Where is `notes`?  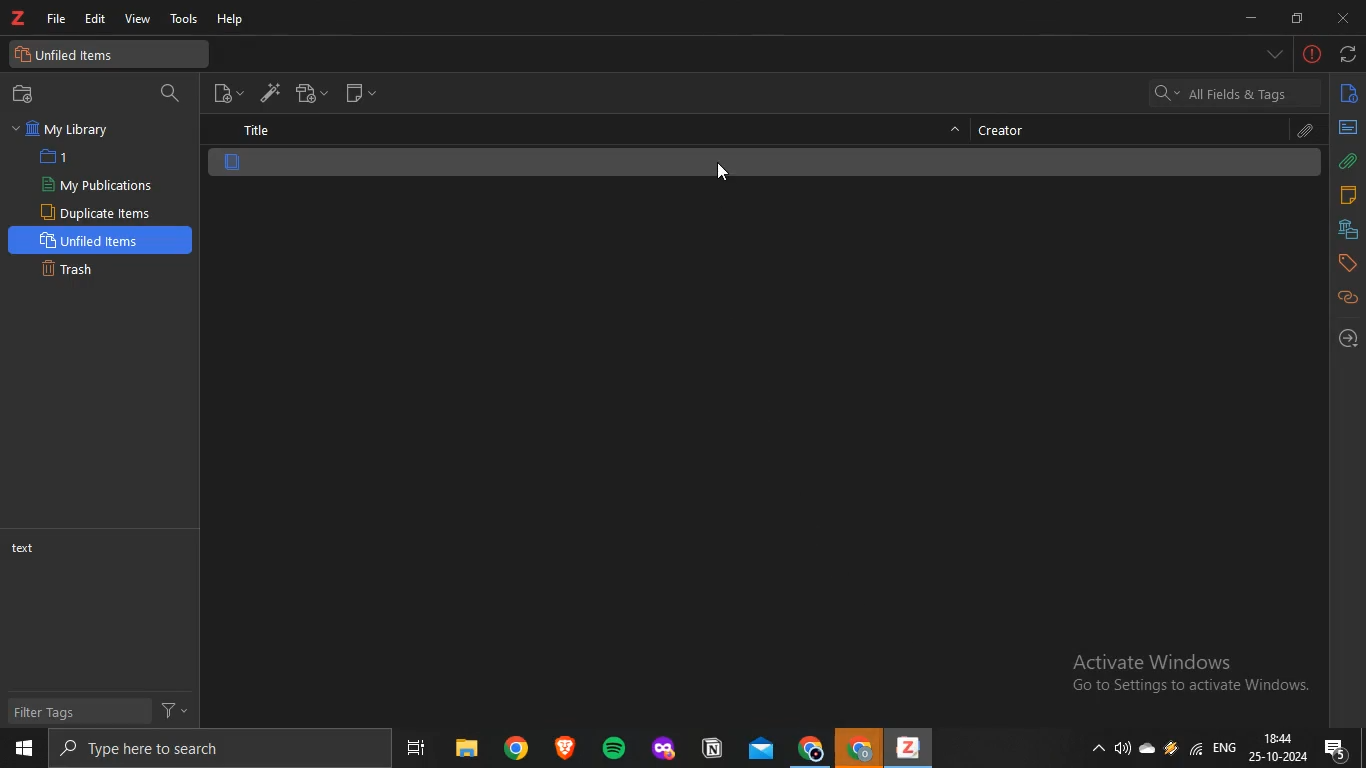 notes is located at coordinates (1349, 196).